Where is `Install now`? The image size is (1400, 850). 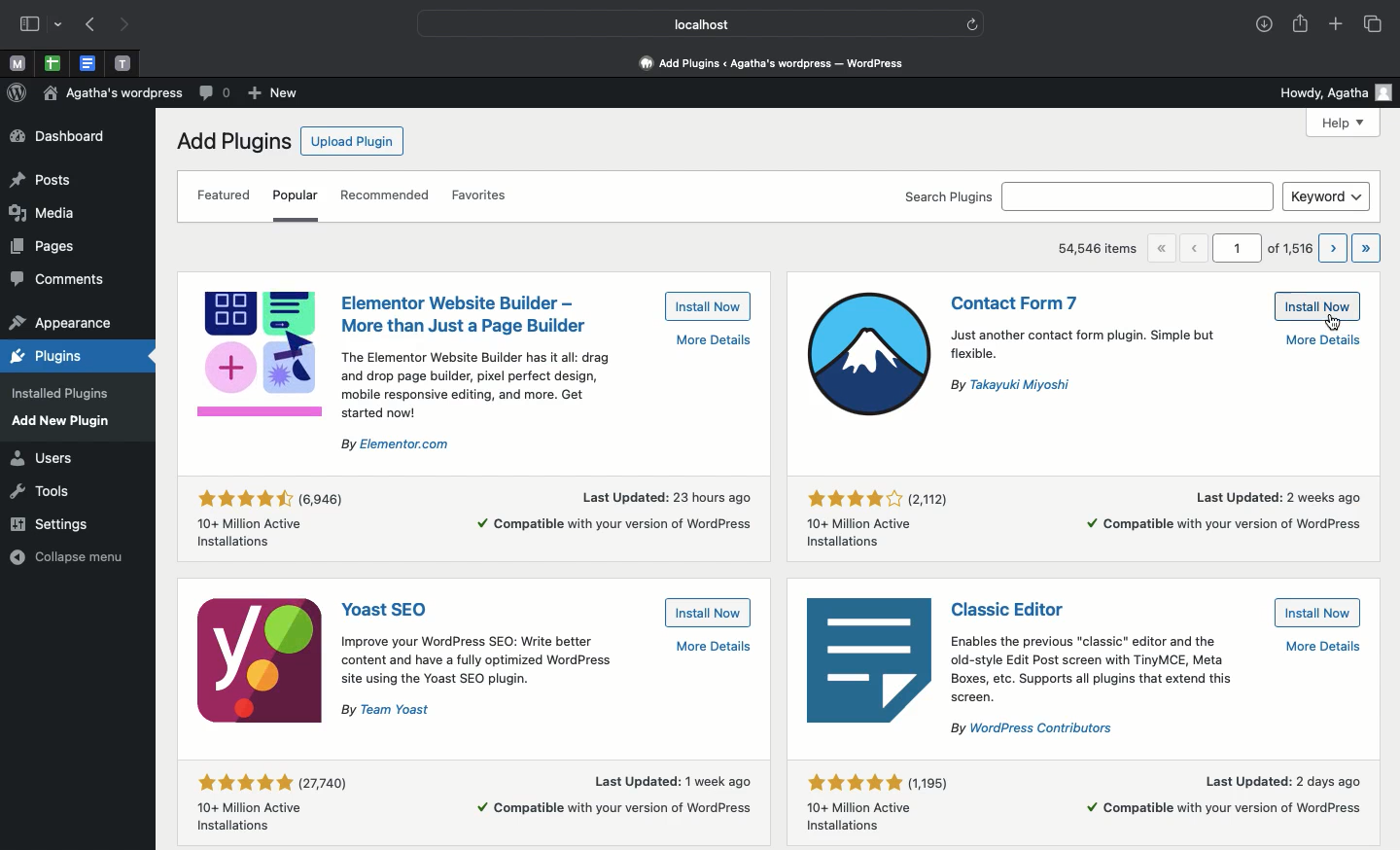
Install now is located at coordinates (706, 613).